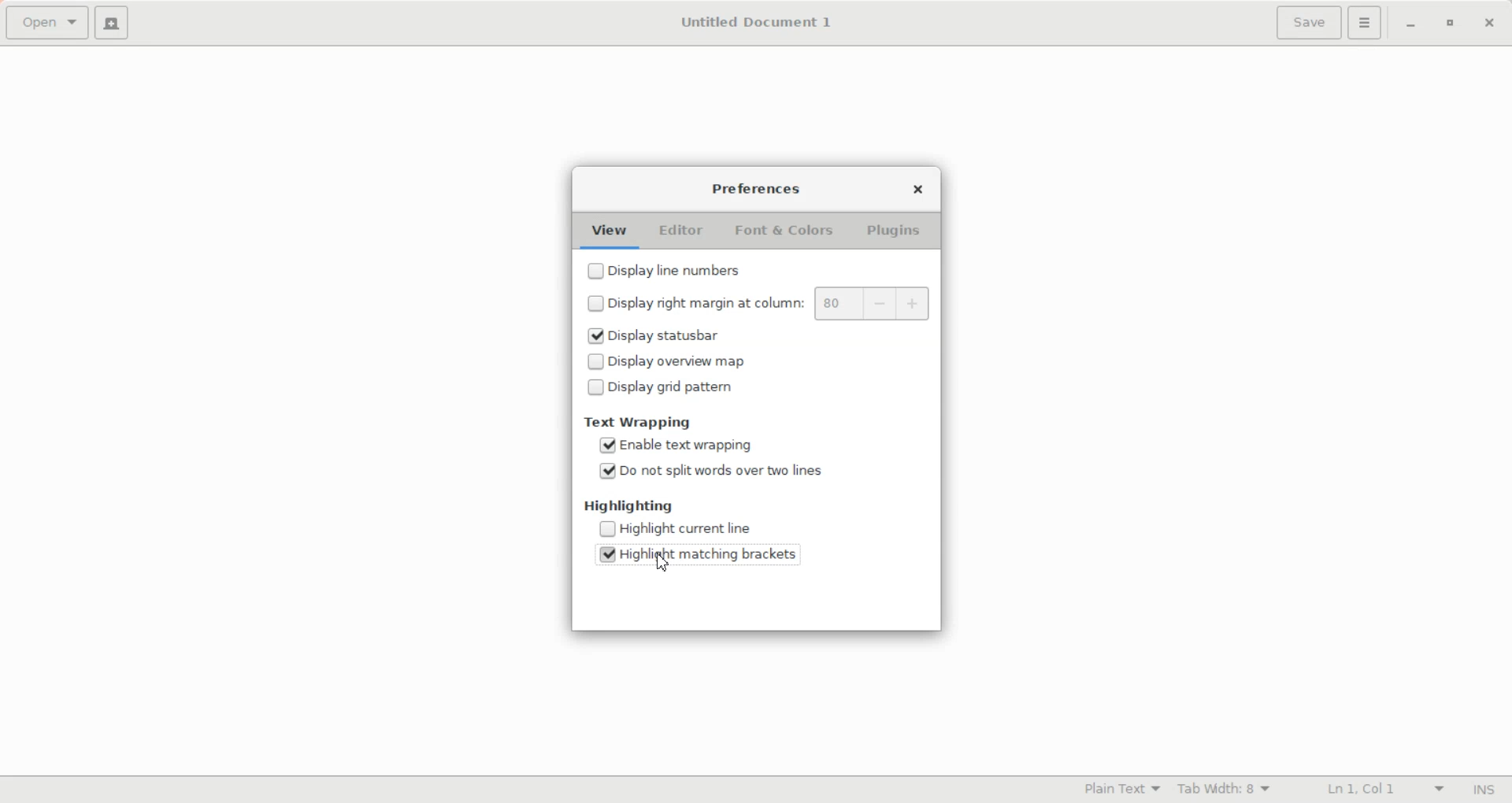 This screenshot has width=1512, height=803. What do you see at coordinates (881, 305) in the screenshot?
I see `Decrease` at bounding box center [881, 305].